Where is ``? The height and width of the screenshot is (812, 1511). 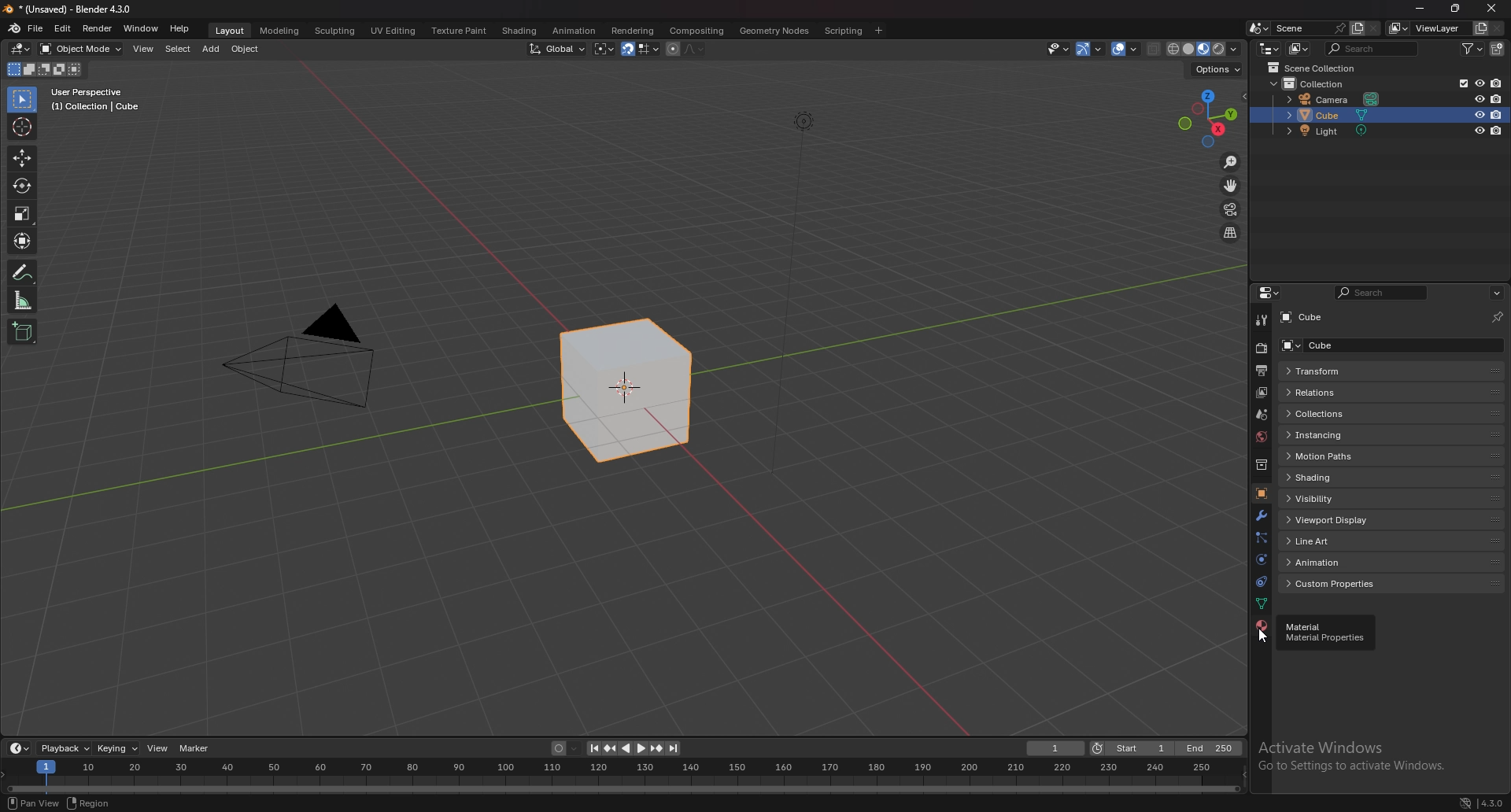  is located at coordinates (801, 303).